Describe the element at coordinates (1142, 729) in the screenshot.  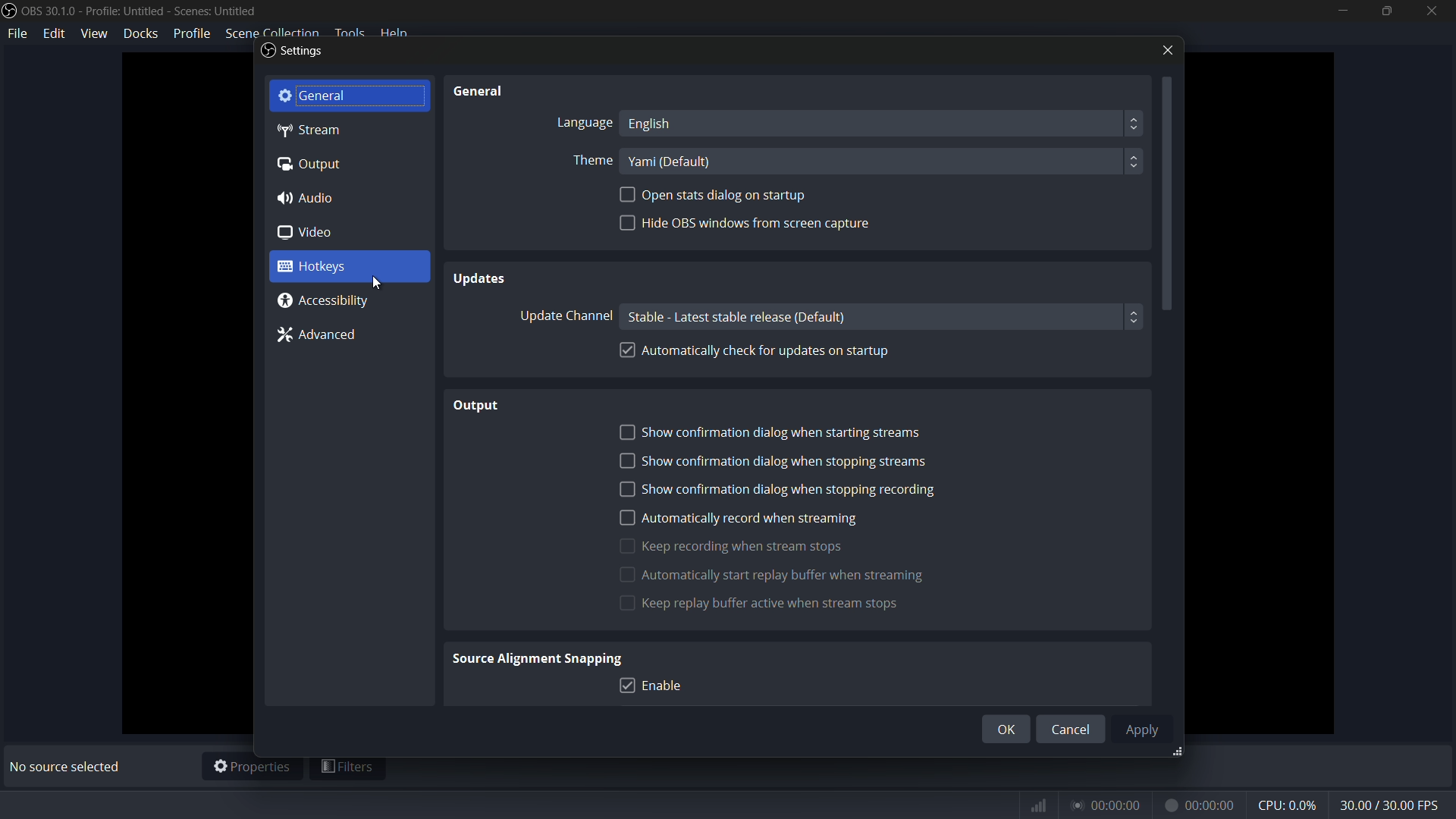
I see `apply button` at that location.